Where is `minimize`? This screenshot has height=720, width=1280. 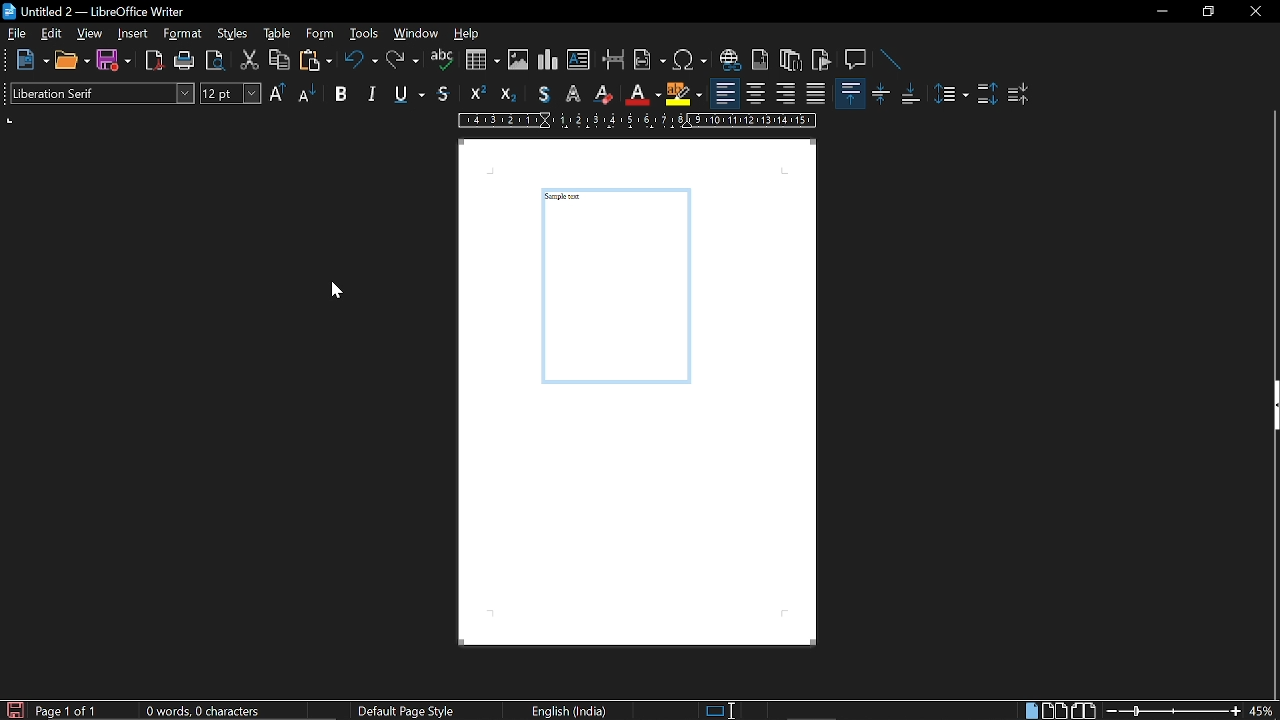
minimize is located at coordinates (1162, 12).